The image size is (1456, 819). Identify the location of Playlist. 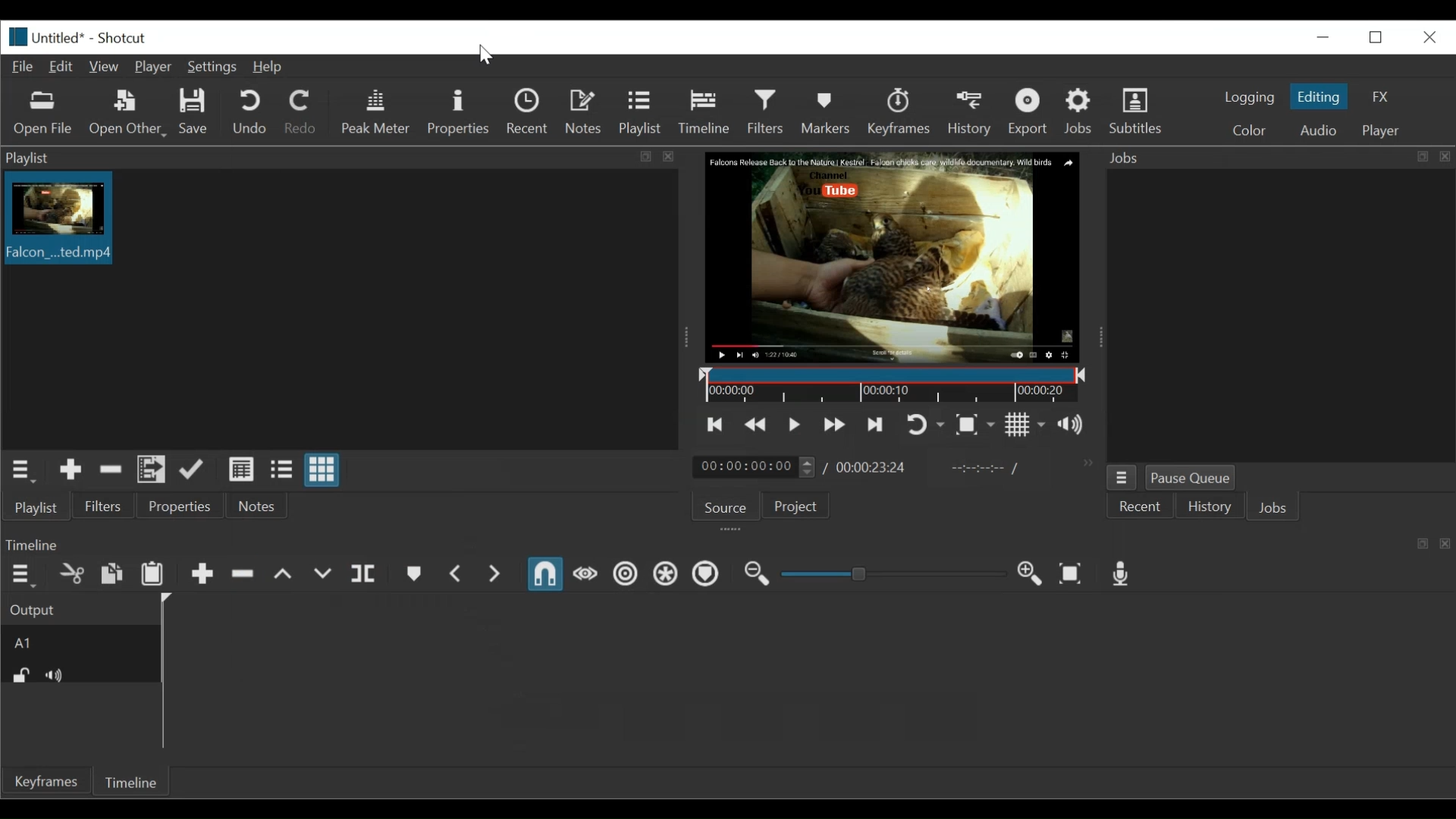
(42, 509).